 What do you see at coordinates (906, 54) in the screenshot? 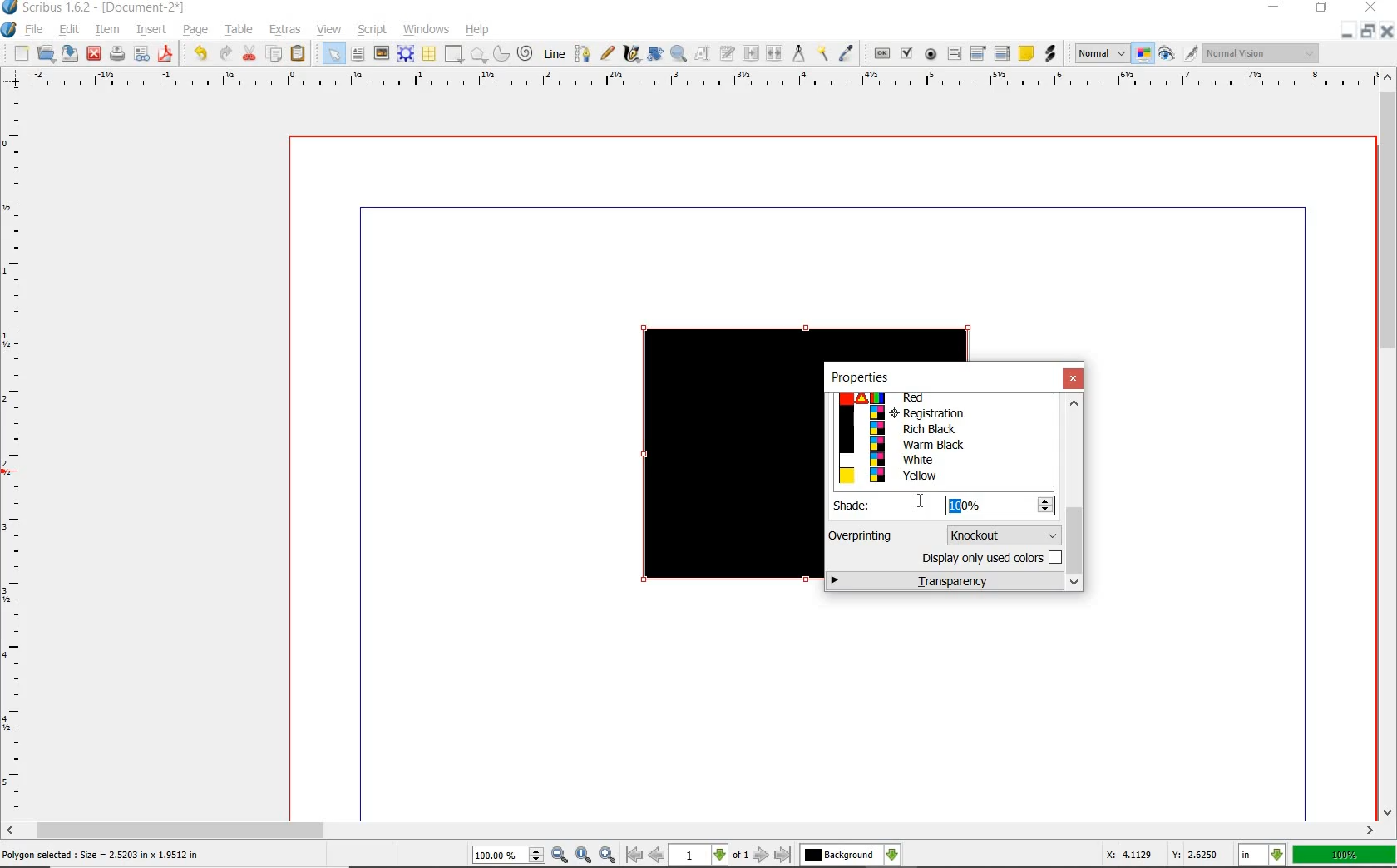
I see `pdf check box` at bounding box center [906, 54].